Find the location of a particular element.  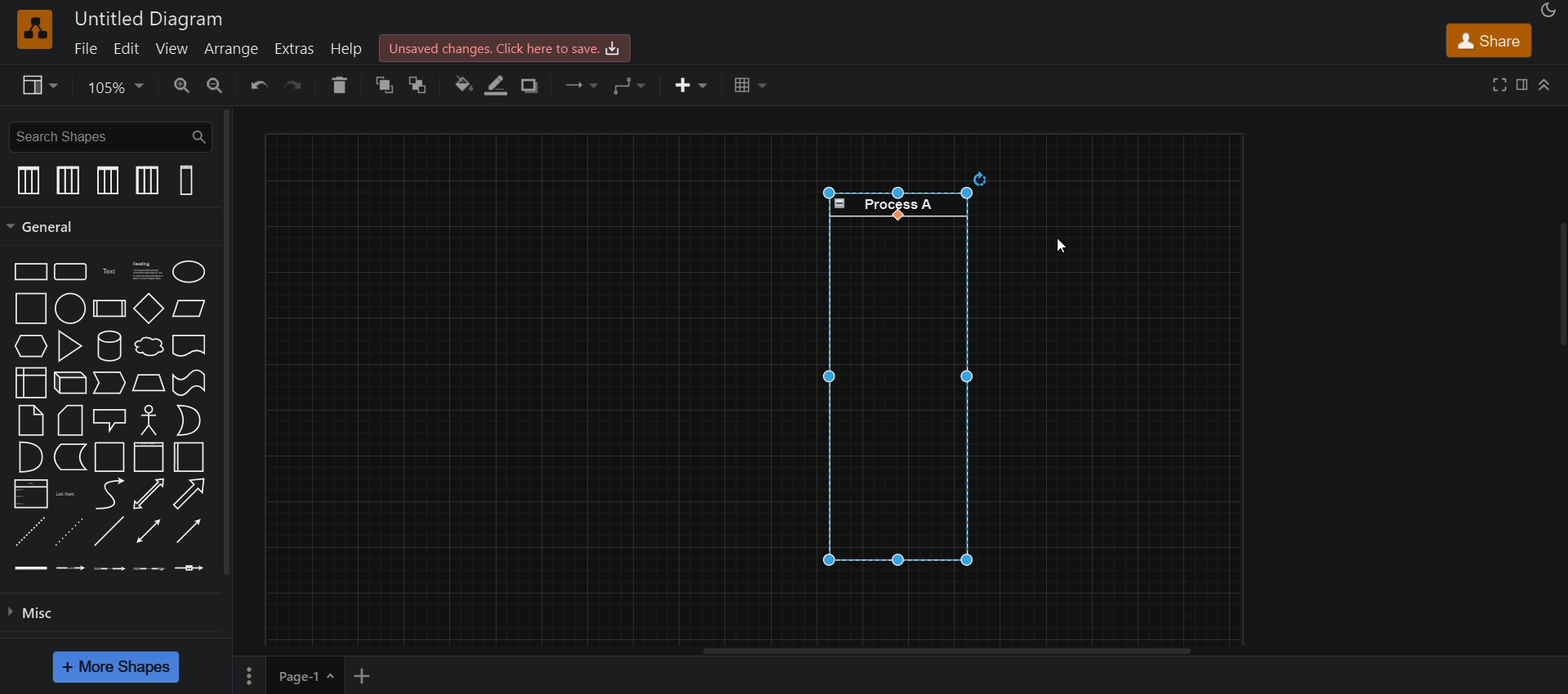

vertical pool 2 is located at coordinates (69, 182).